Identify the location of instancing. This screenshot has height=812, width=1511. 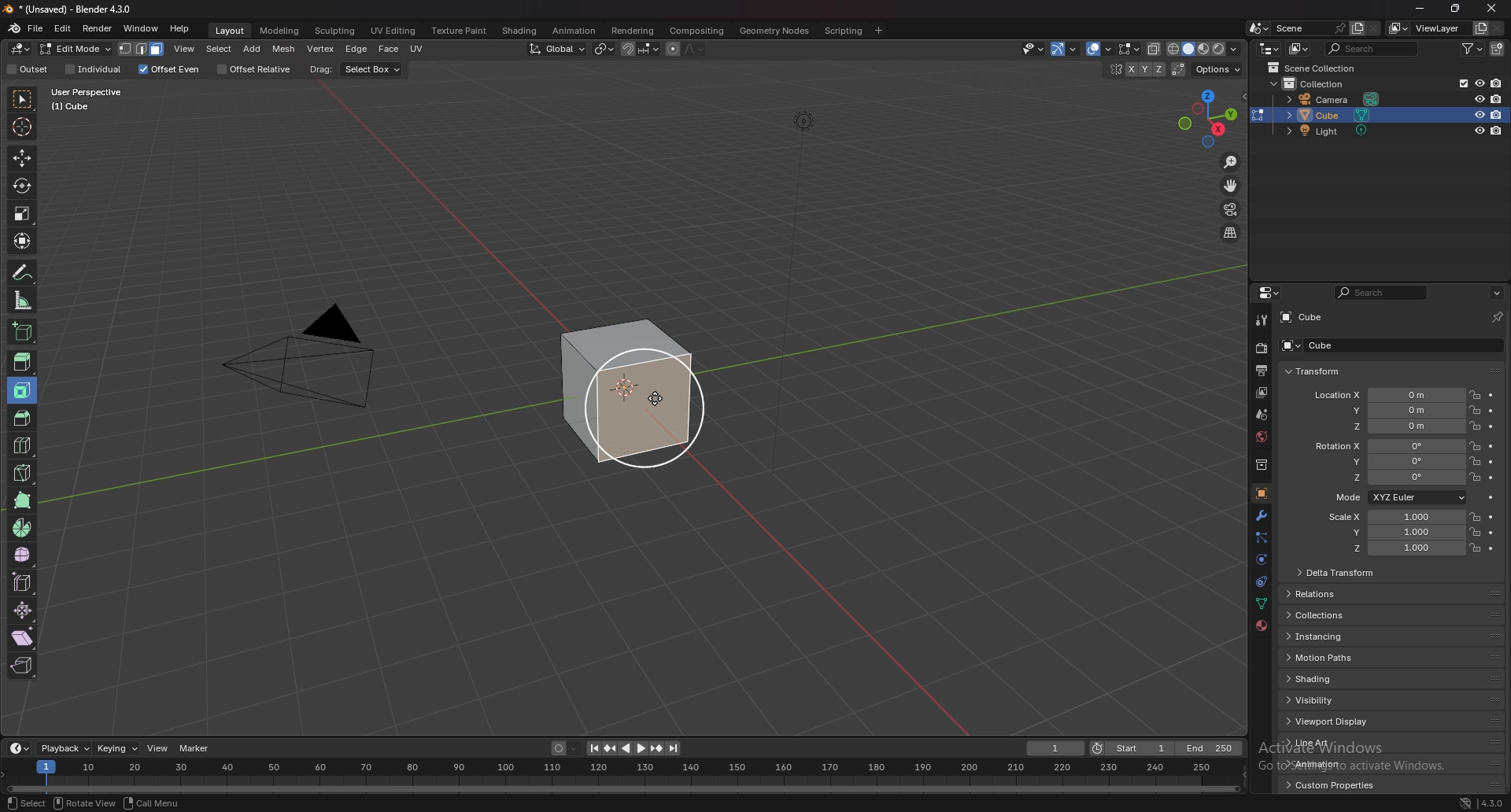
(1333, 637).